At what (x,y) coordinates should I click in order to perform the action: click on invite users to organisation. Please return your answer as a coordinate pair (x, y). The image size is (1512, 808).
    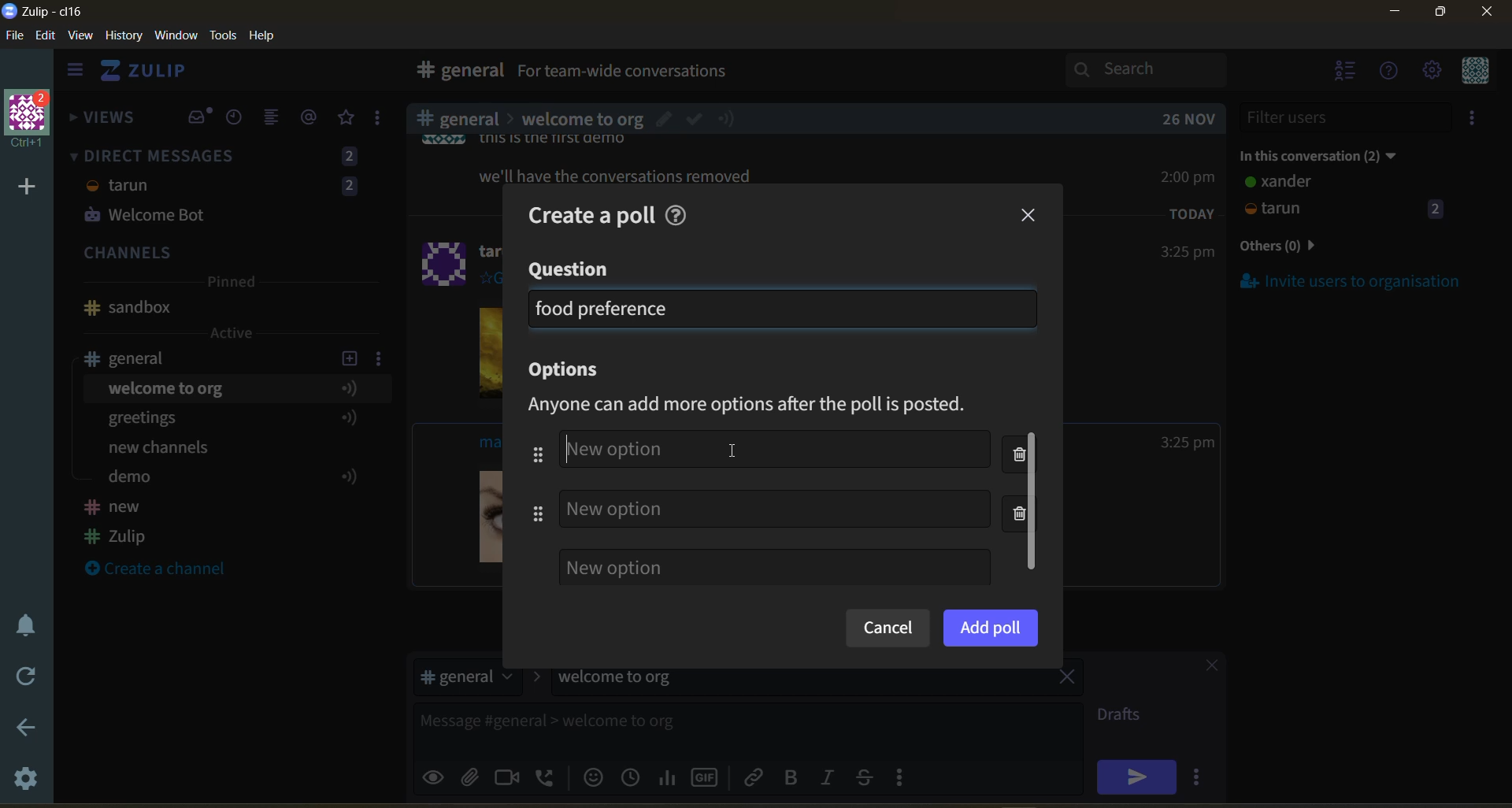
    Looking at the image, I should click on (1351, 280).